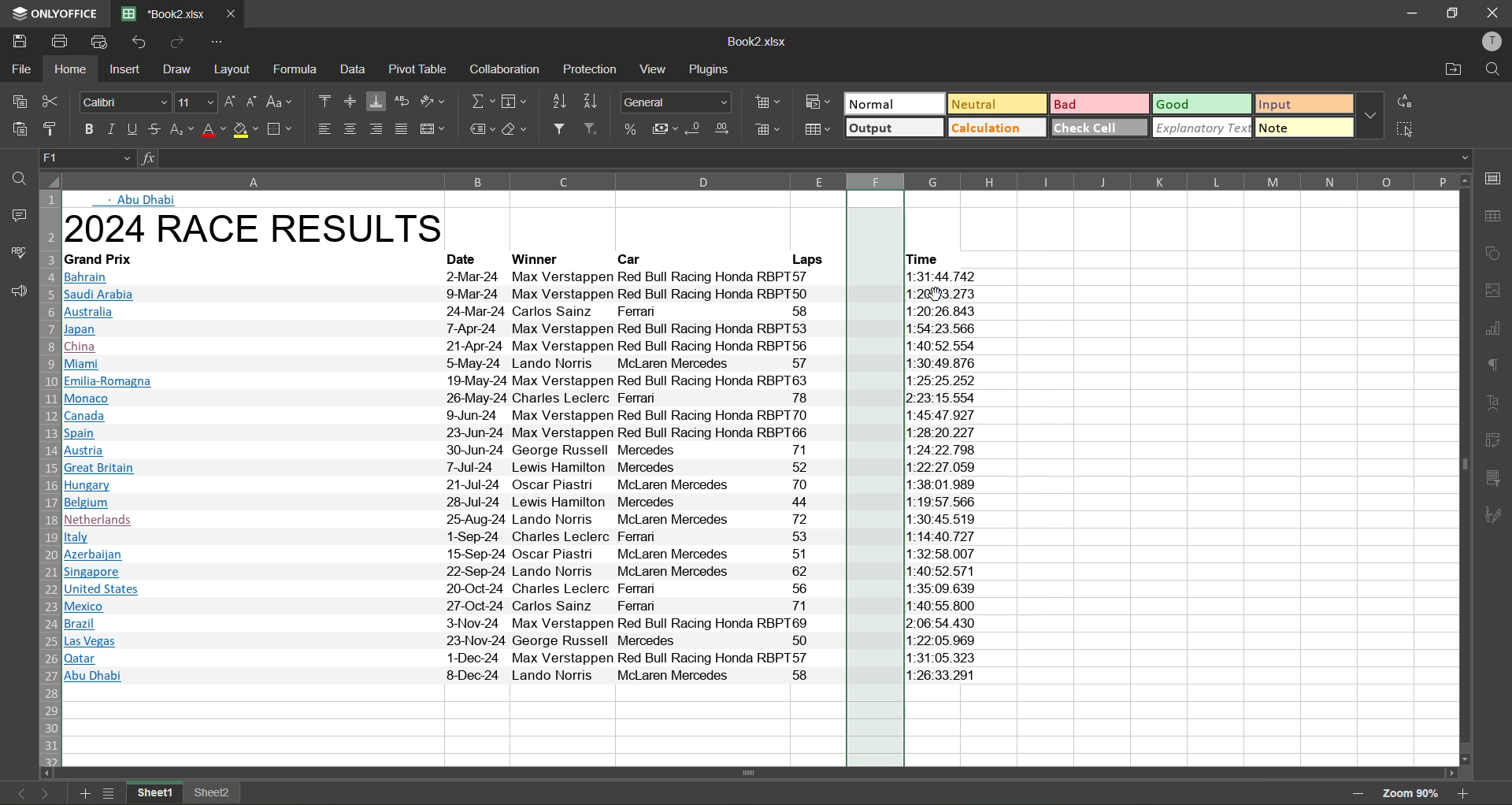 This screenshot has width=1512, height=805. I want to click on new column inserted, so click(866, 480).